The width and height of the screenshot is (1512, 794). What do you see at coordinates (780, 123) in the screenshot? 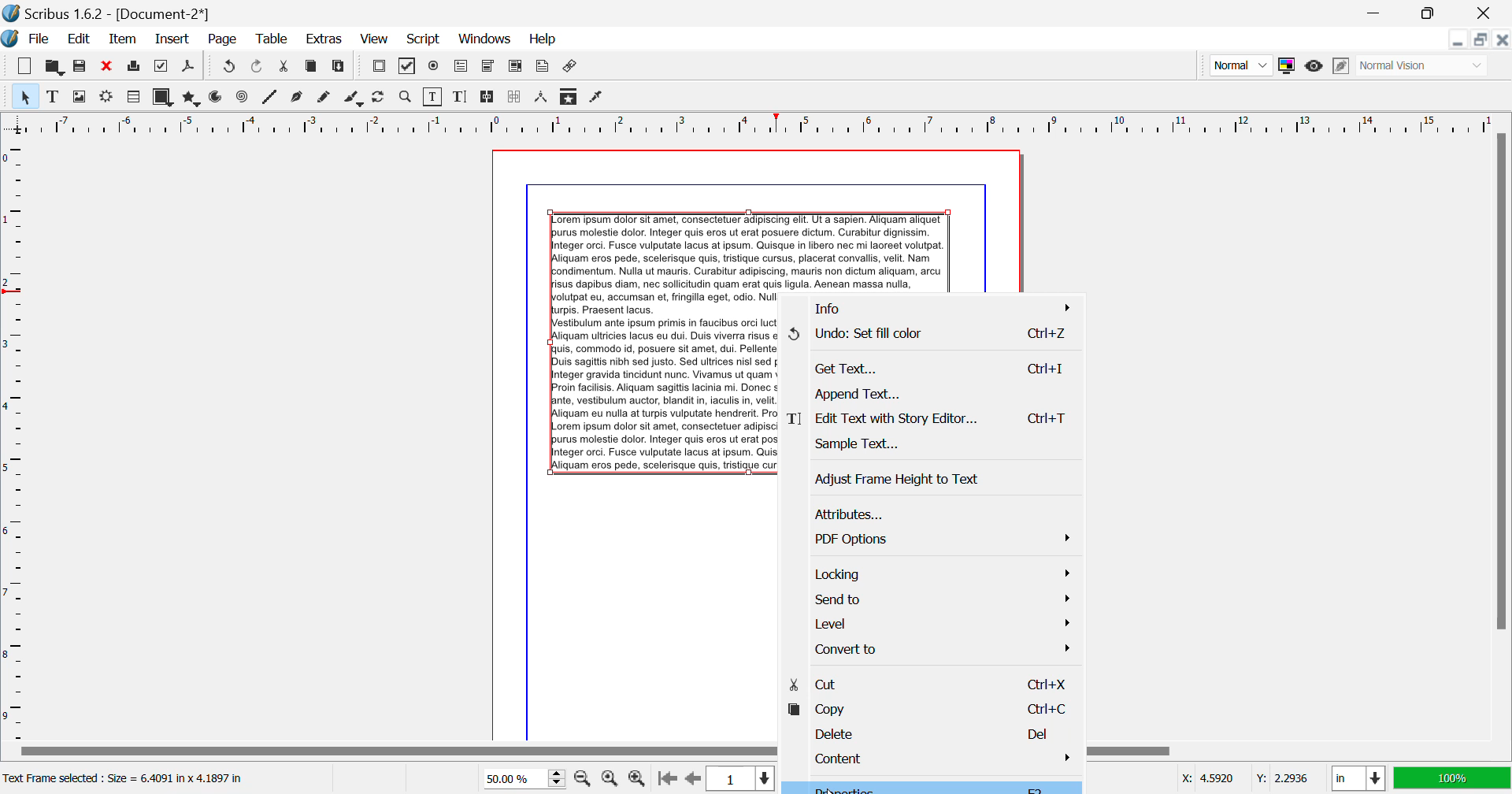
I see `Vertical Page Margin` at bounding box center [780, 123].